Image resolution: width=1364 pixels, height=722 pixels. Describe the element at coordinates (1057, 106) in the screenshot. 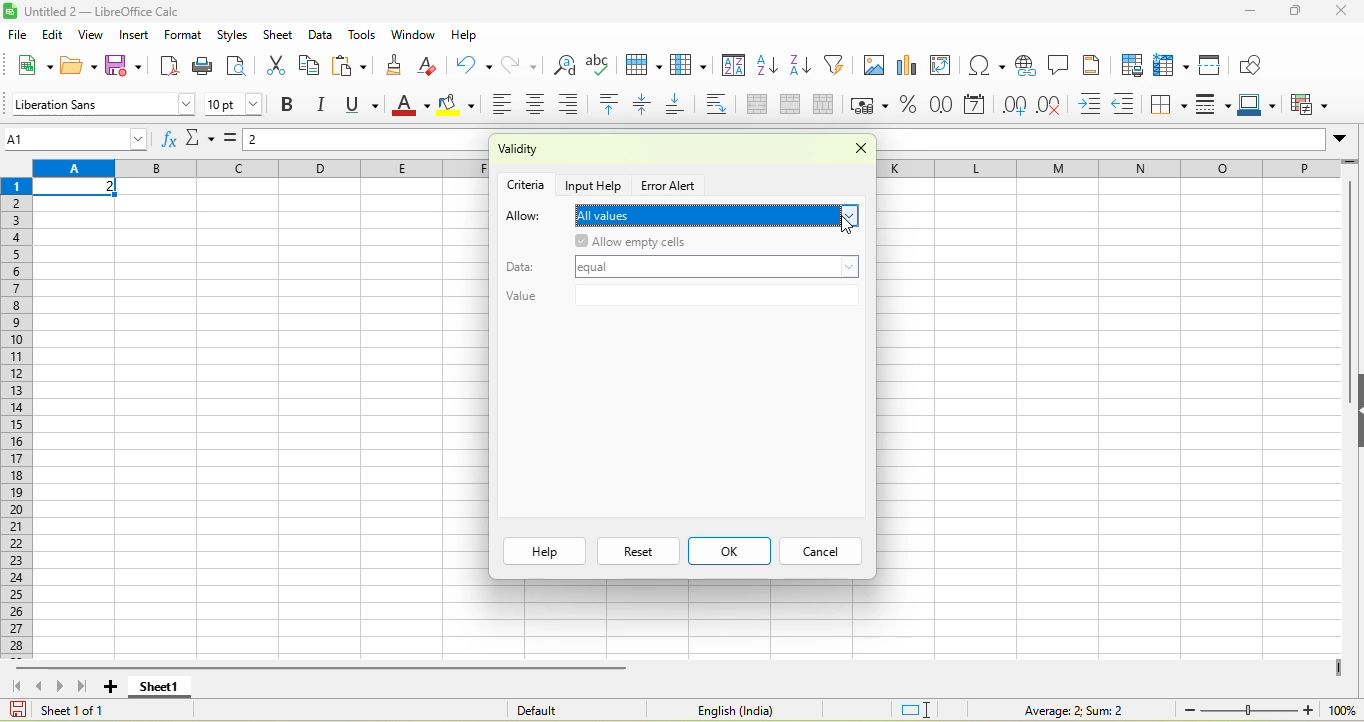

I see `delete decimal` at that location.